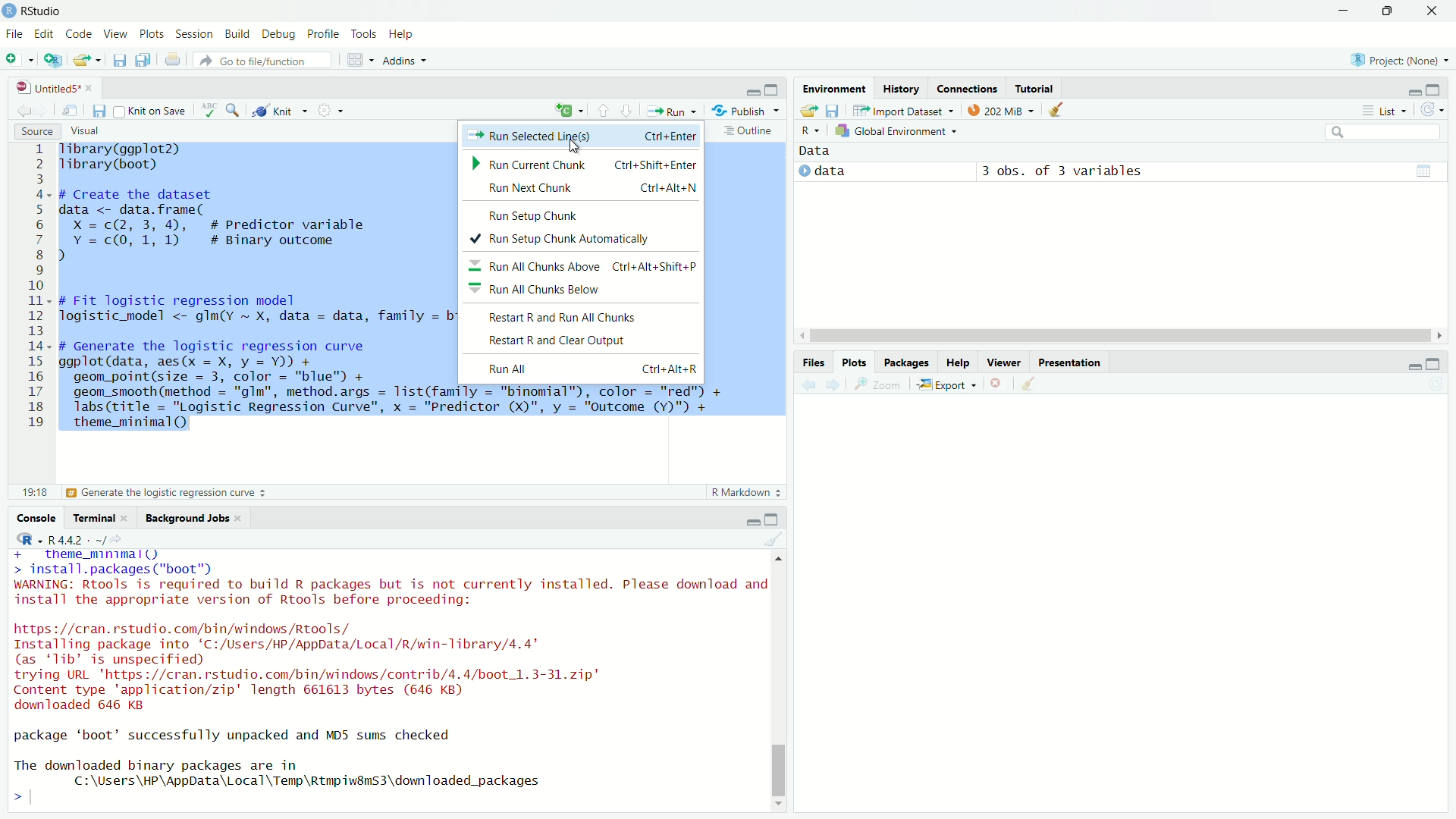  Describe the element at coordinates (195, 34) in the screenshot. I see `Session` at that location.